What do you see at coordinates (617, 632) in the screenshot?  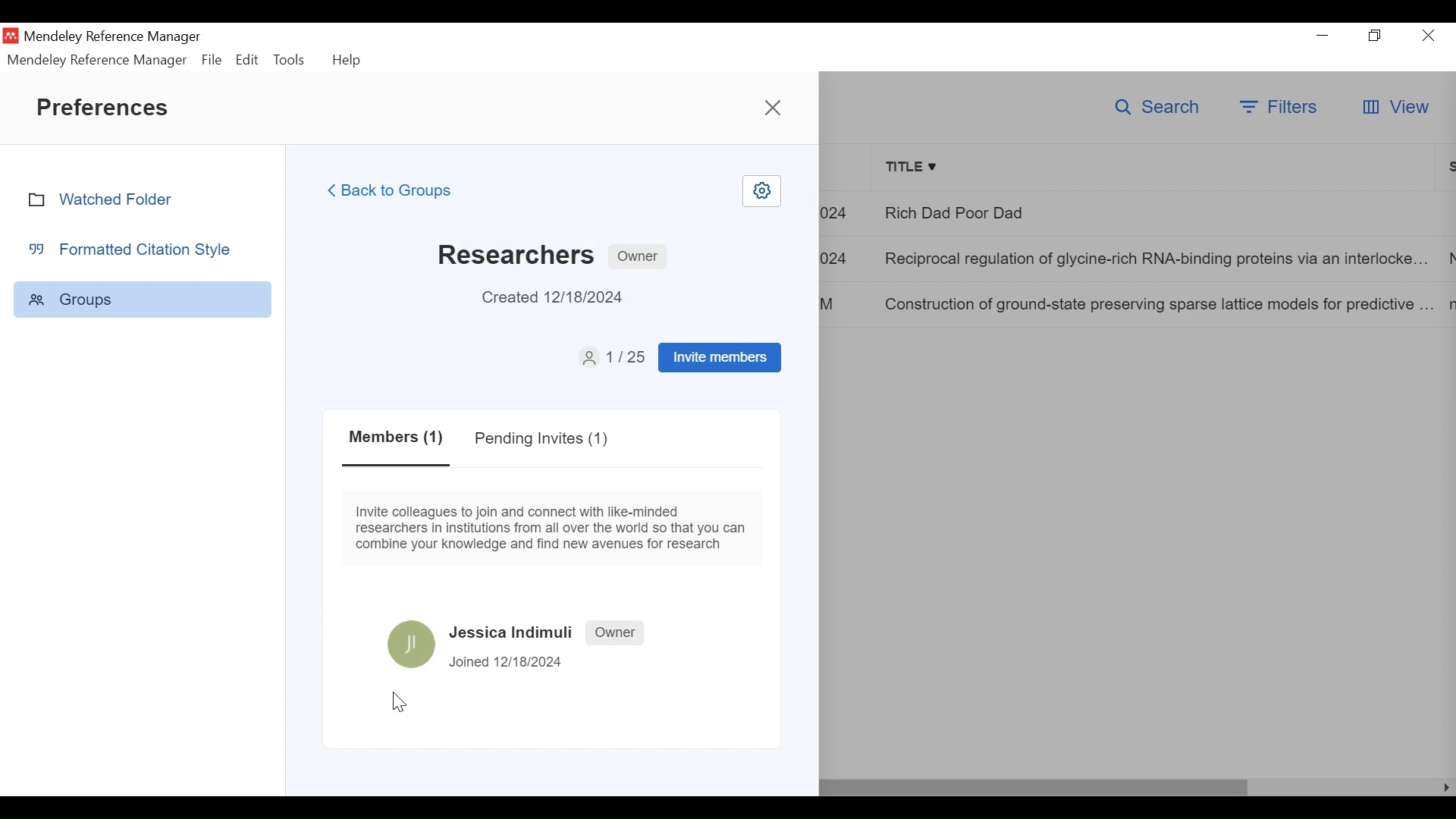 I see `Owner` at bounding box center [617, 632].